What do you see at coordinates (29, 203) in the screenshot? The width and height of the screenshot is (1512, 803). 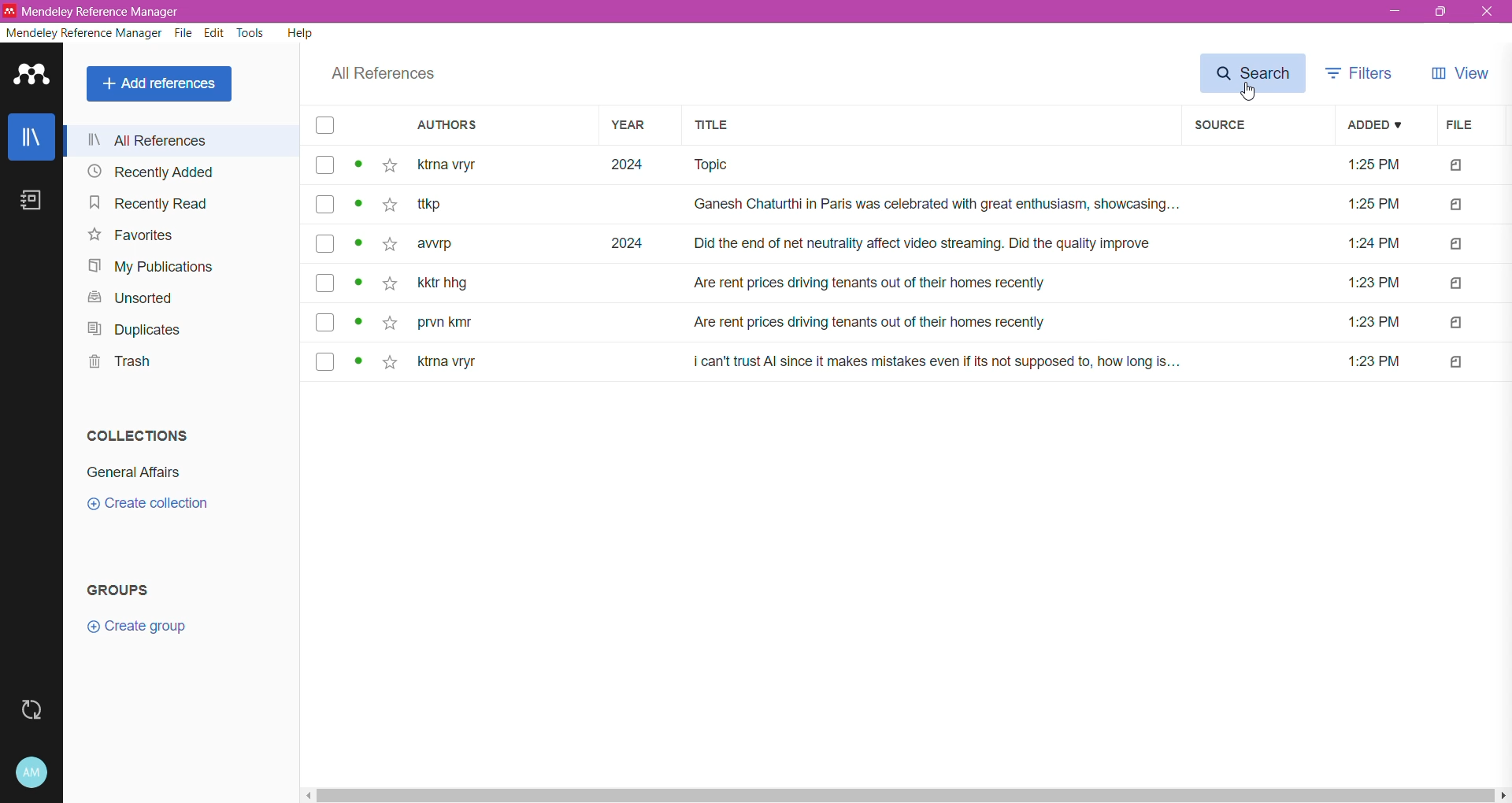 I see `Notebook` at bounding box center [29, 203].